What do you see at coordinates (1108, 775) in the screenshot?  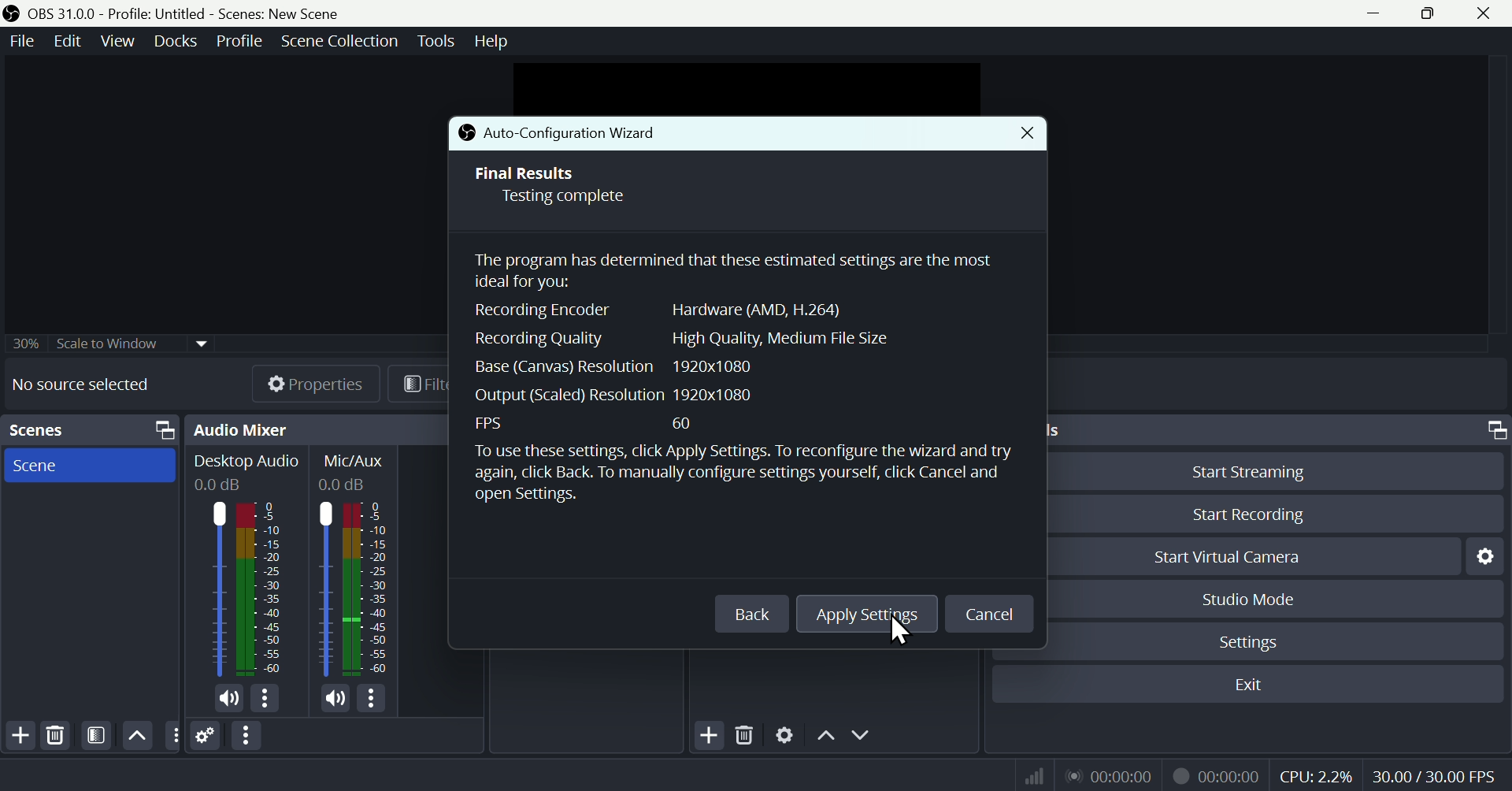 I see `Audio recorder` at bounding box center [1108, 775].